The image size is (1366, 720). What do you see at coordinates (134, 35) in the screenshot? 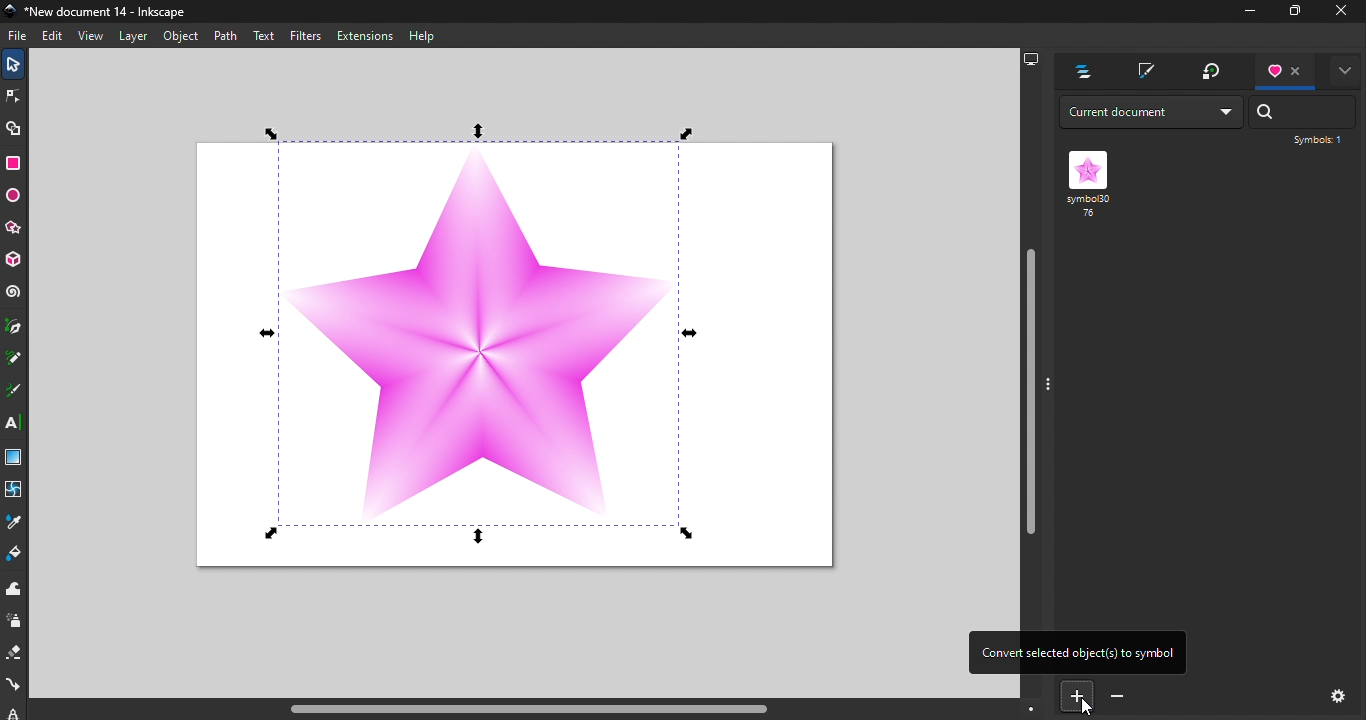
I see `Layer` at bounding box center [134, 35].